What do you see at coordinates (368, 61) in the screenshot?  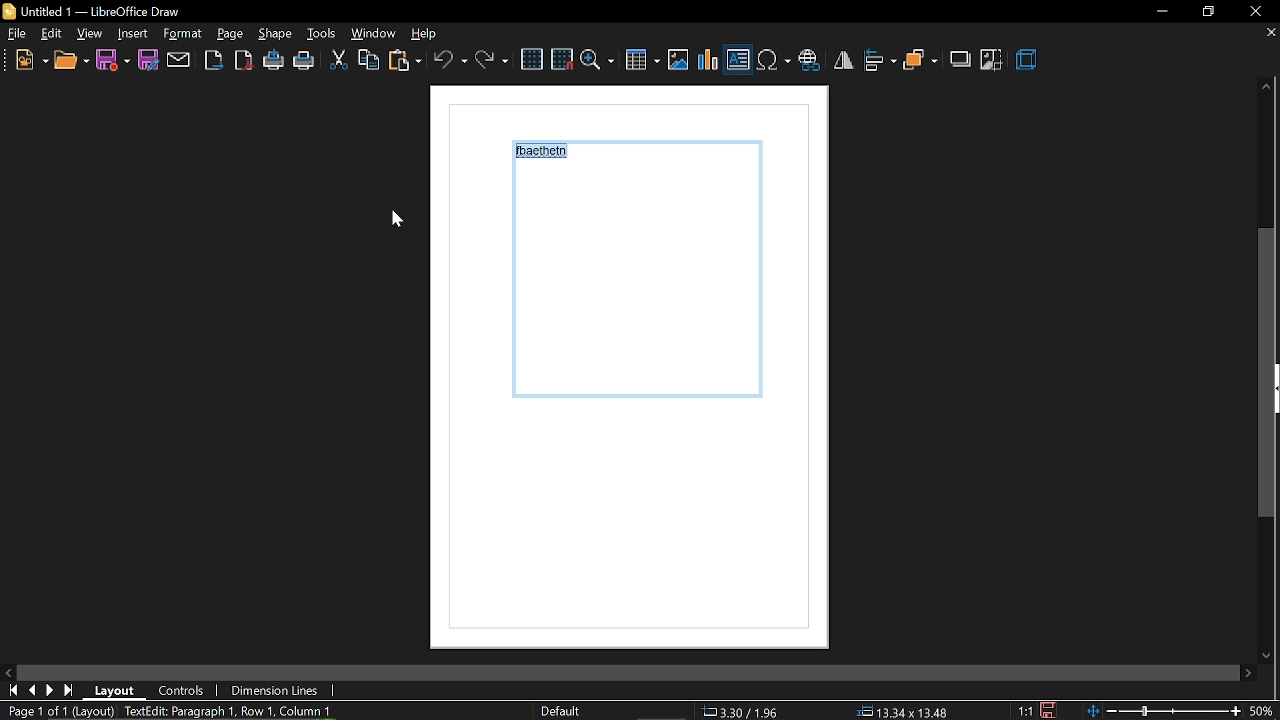 I see `copy` at bounding box center [368, 61].